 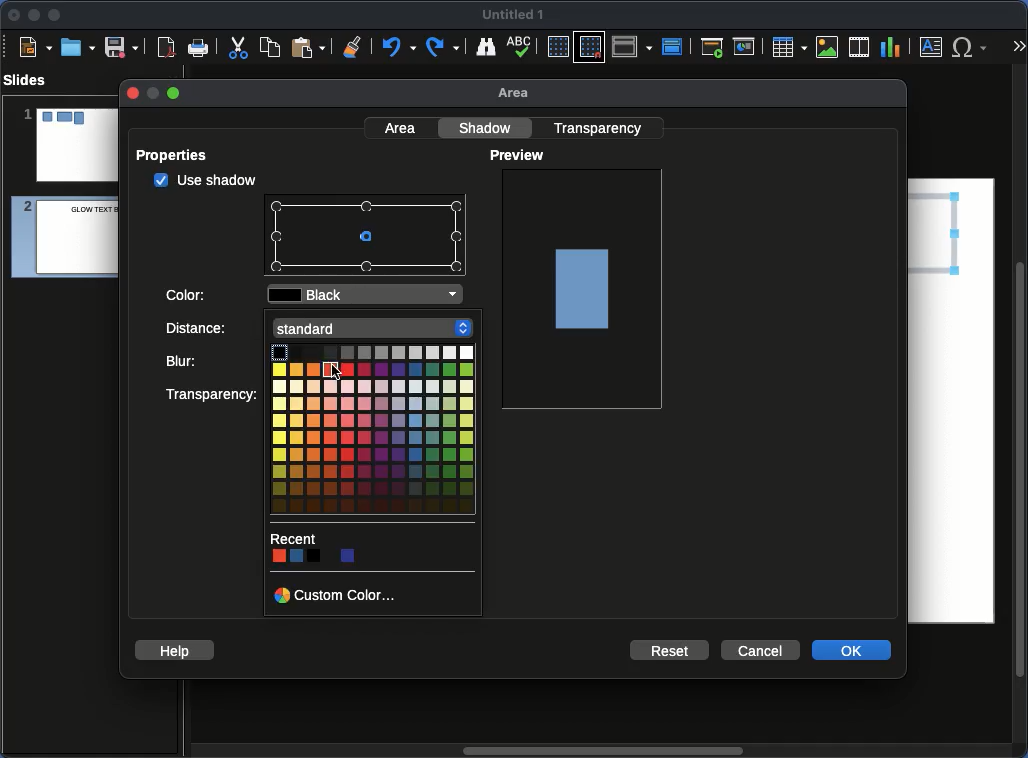 I want to click on Ope, so click(x=78, y=46).